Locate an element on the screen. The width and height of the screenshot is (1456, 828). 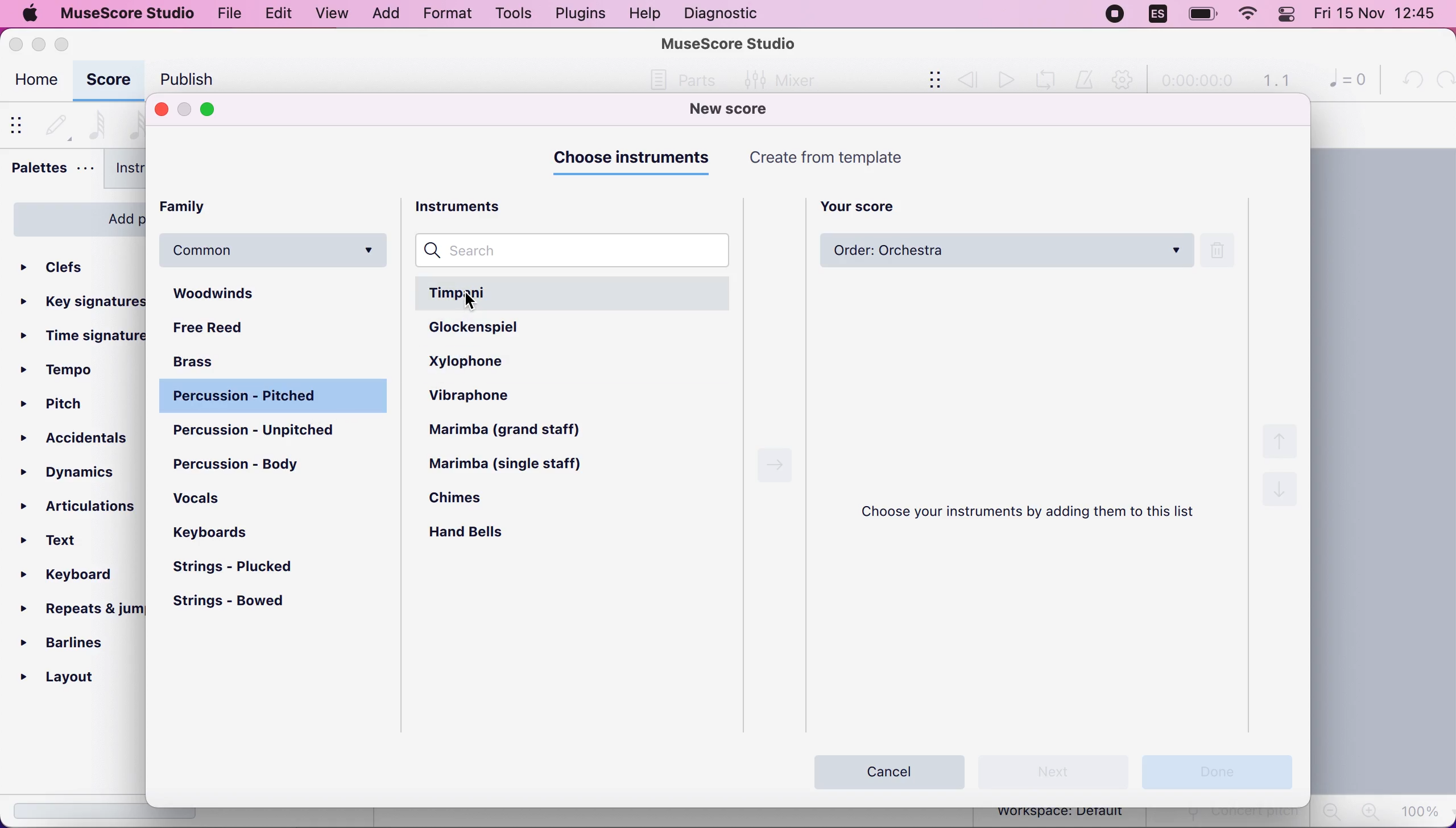
recording stopped is located at coordinates (1114, 14).